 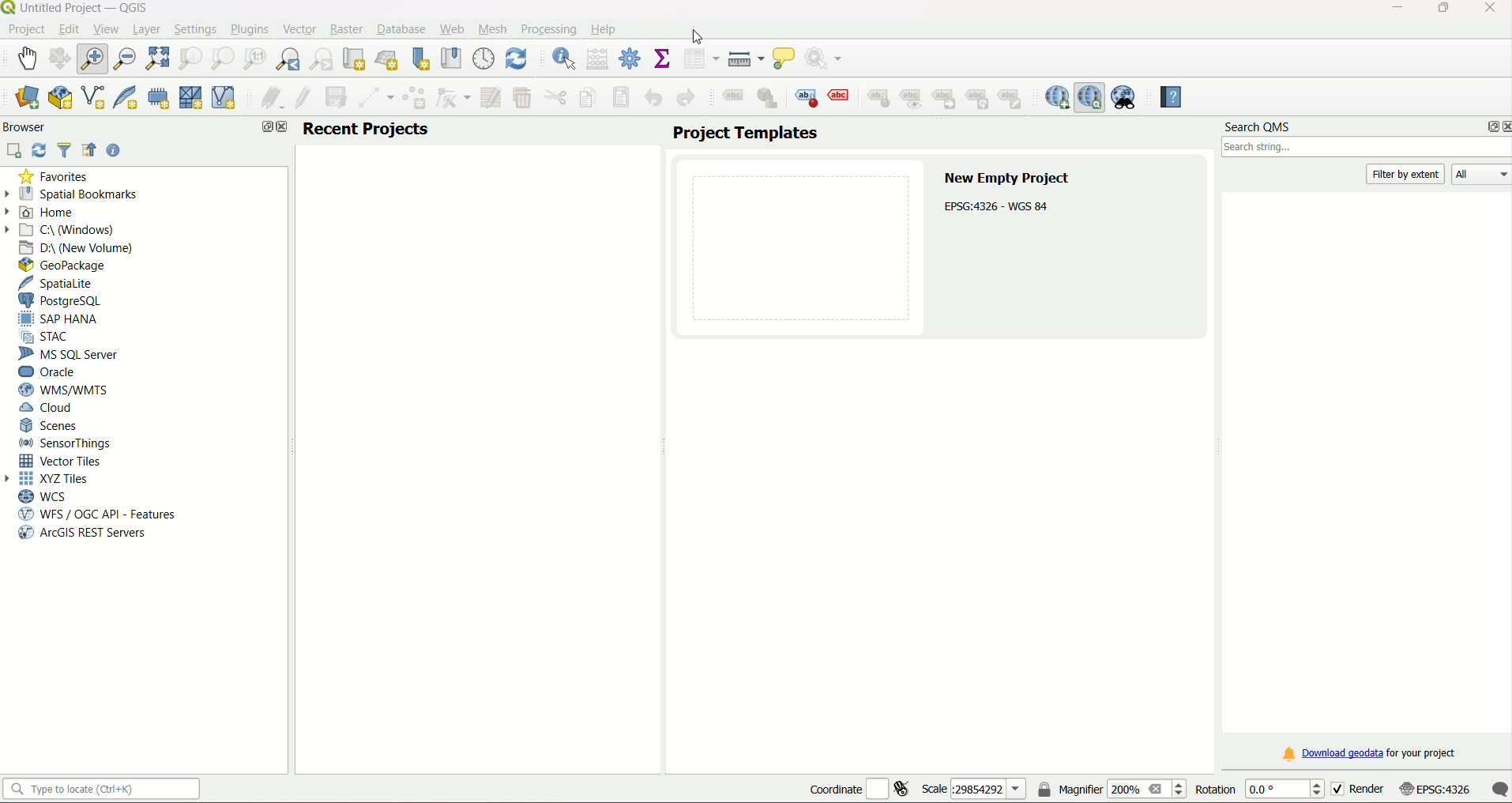 I want to click on cordinates, so click(x=859, y=790).